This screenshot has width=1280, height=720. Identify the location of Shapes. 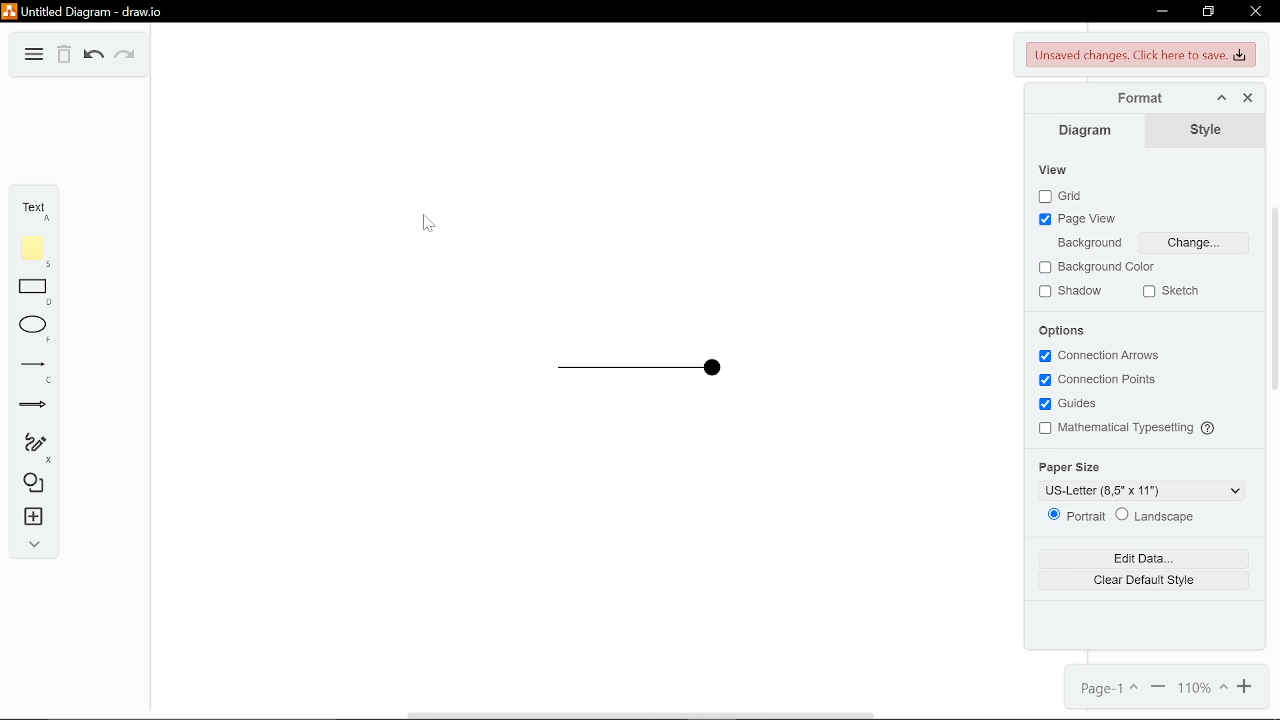
(33, 485).